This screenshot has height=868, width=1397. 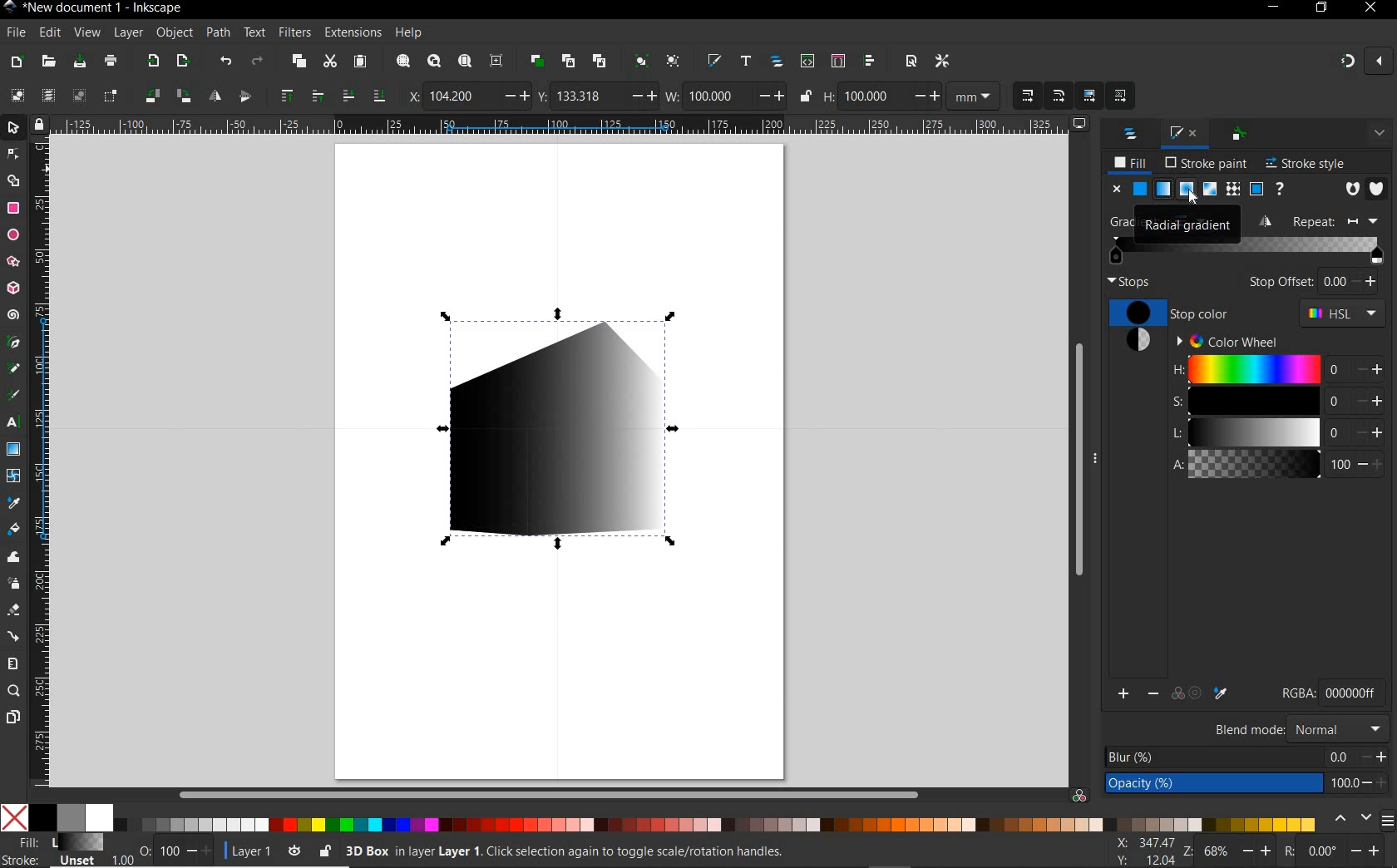 I want to click on computer icon, so click(x=1080, y=123).